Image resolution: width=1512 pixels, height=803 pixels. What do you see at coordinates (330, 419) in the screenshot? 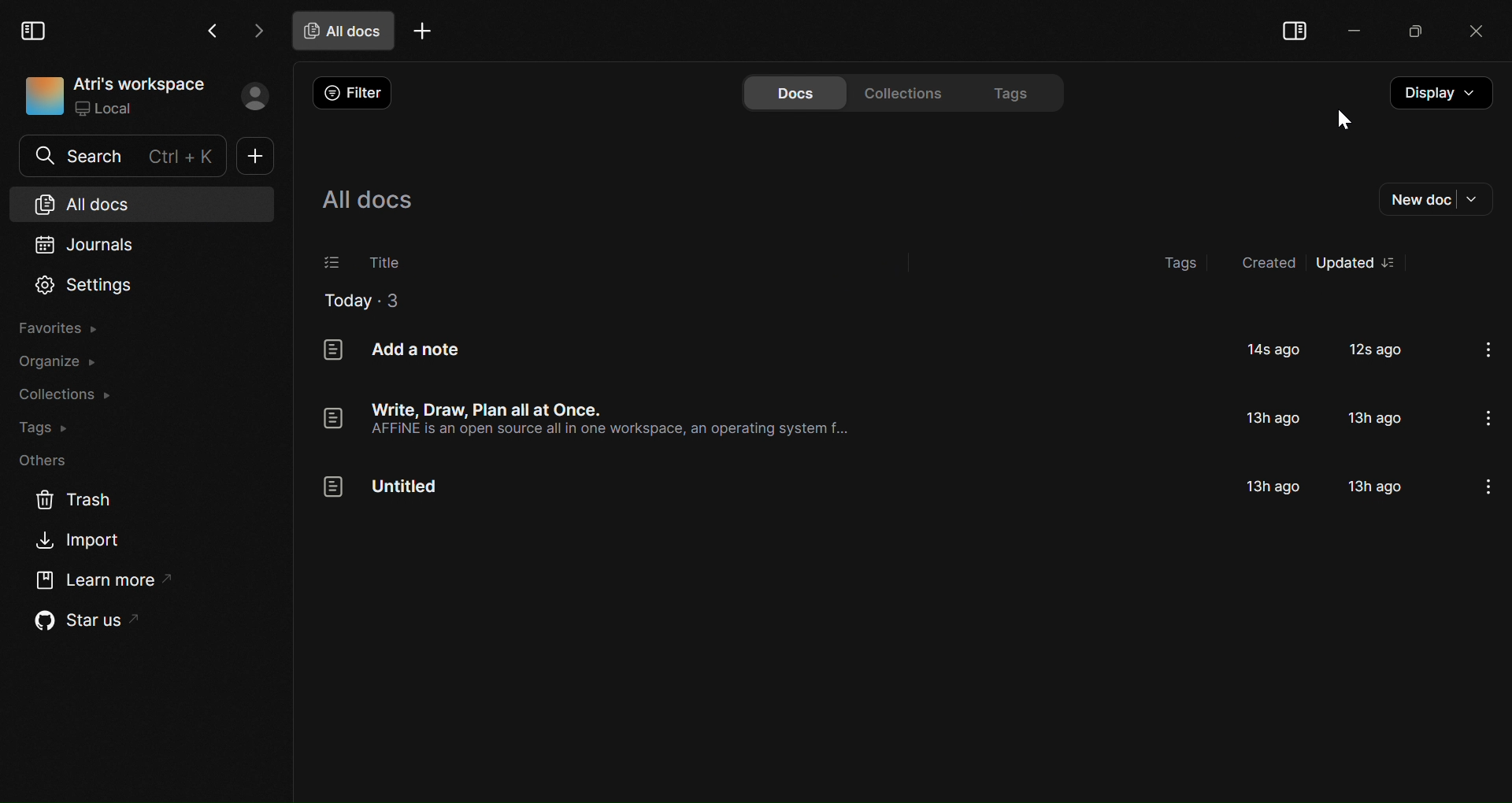
I see `icon` at bounding box center [330, 419].